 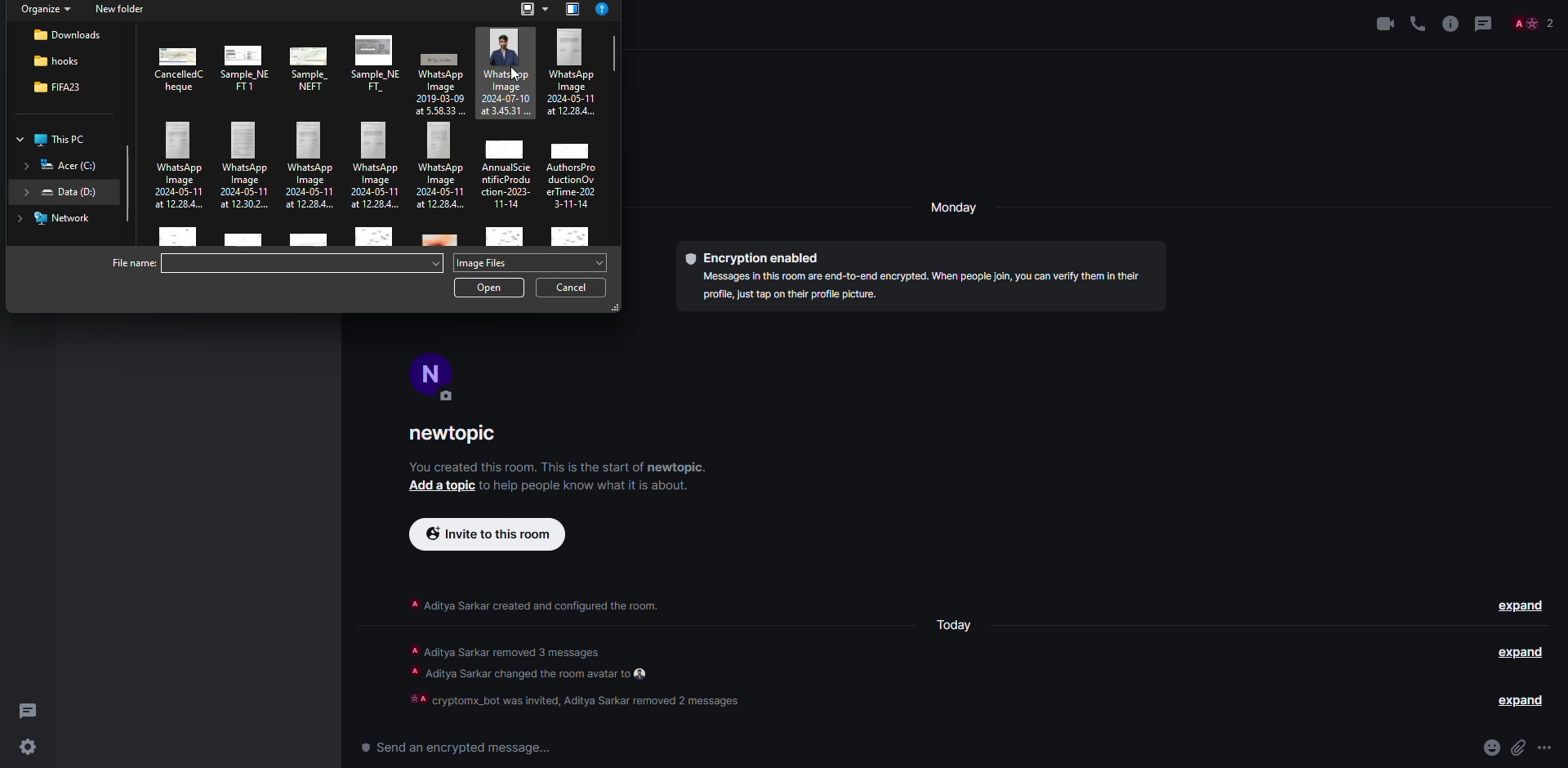 What do you see at coordinates (45, 11) in the screenshot?
I see `organize` at bounding box center [45, 11].